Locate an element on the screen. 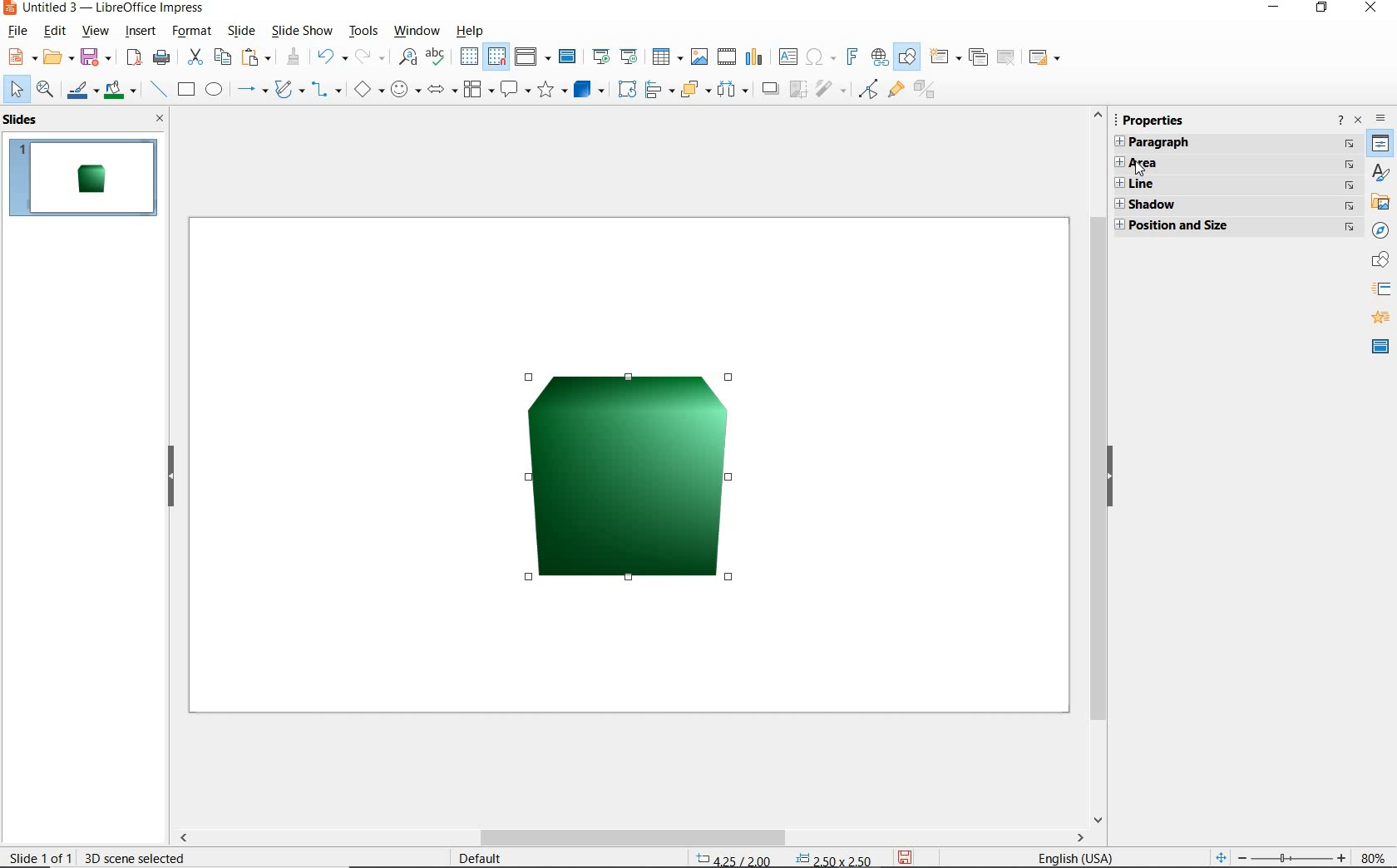 This screenshot has width=1397, height=868. MINIMIZE is located at coordinates (1277, 7).